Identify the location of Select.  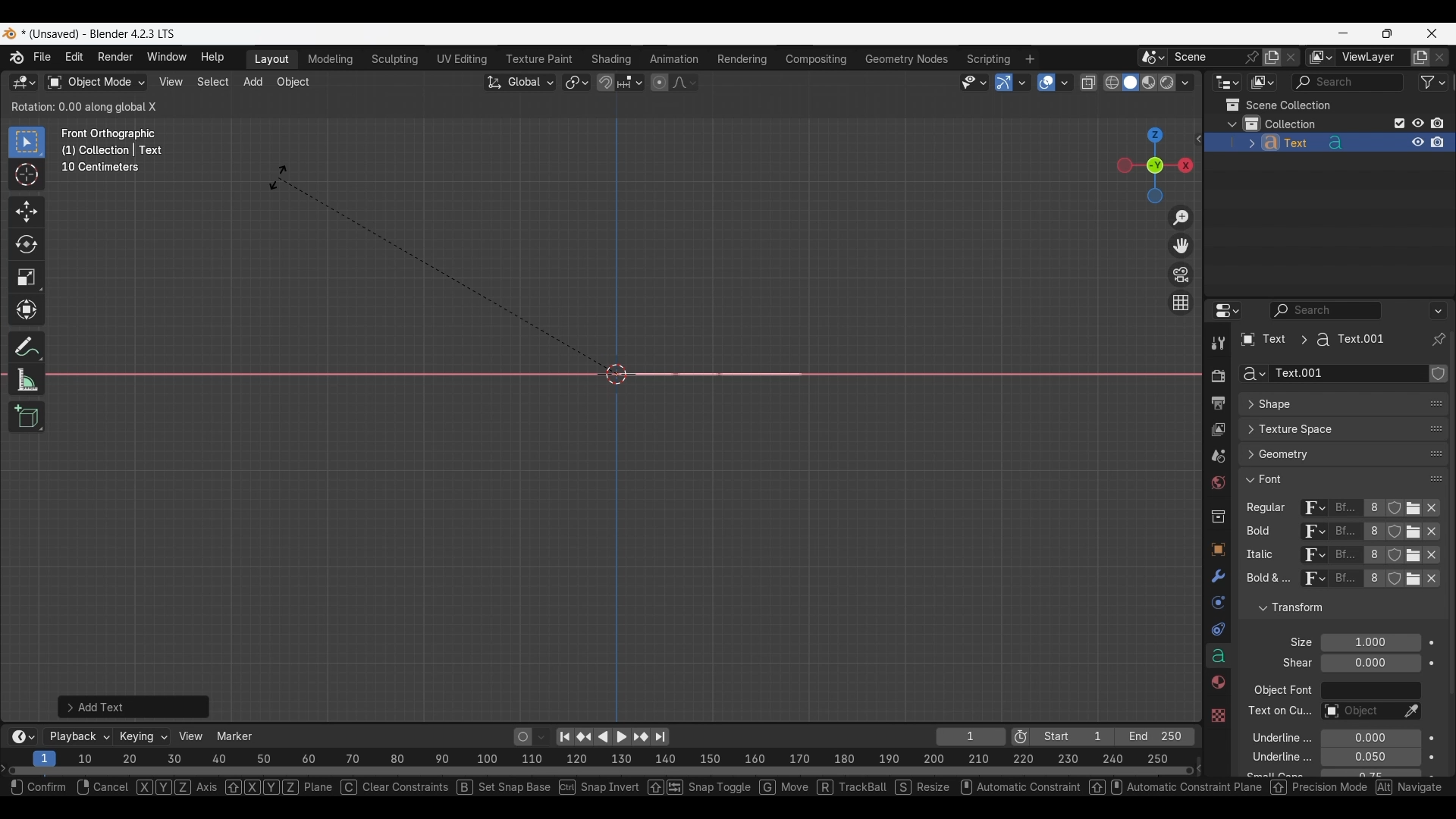
(35, 787).